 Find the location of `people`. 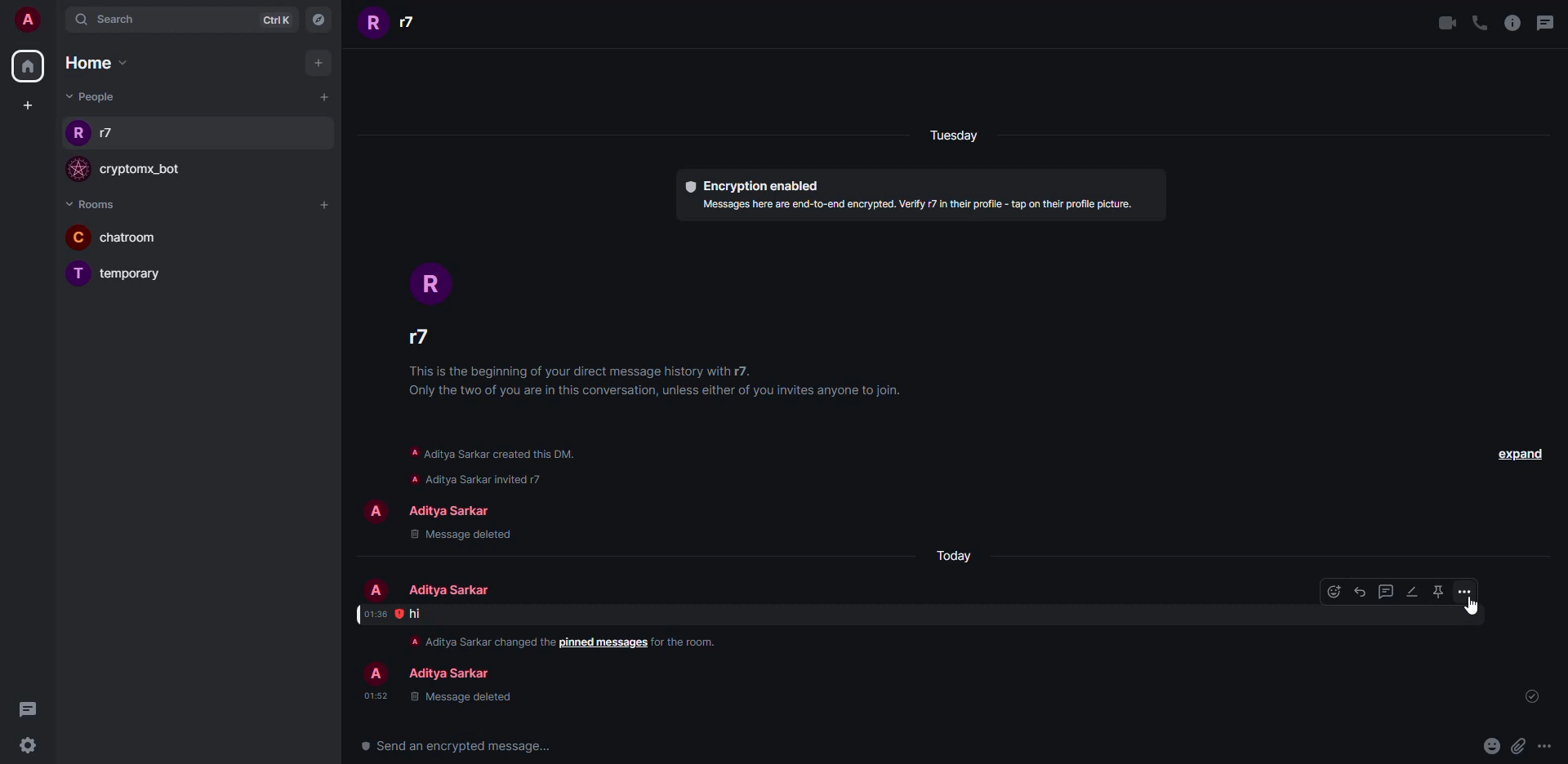

people is located at coordinates (448, 509).